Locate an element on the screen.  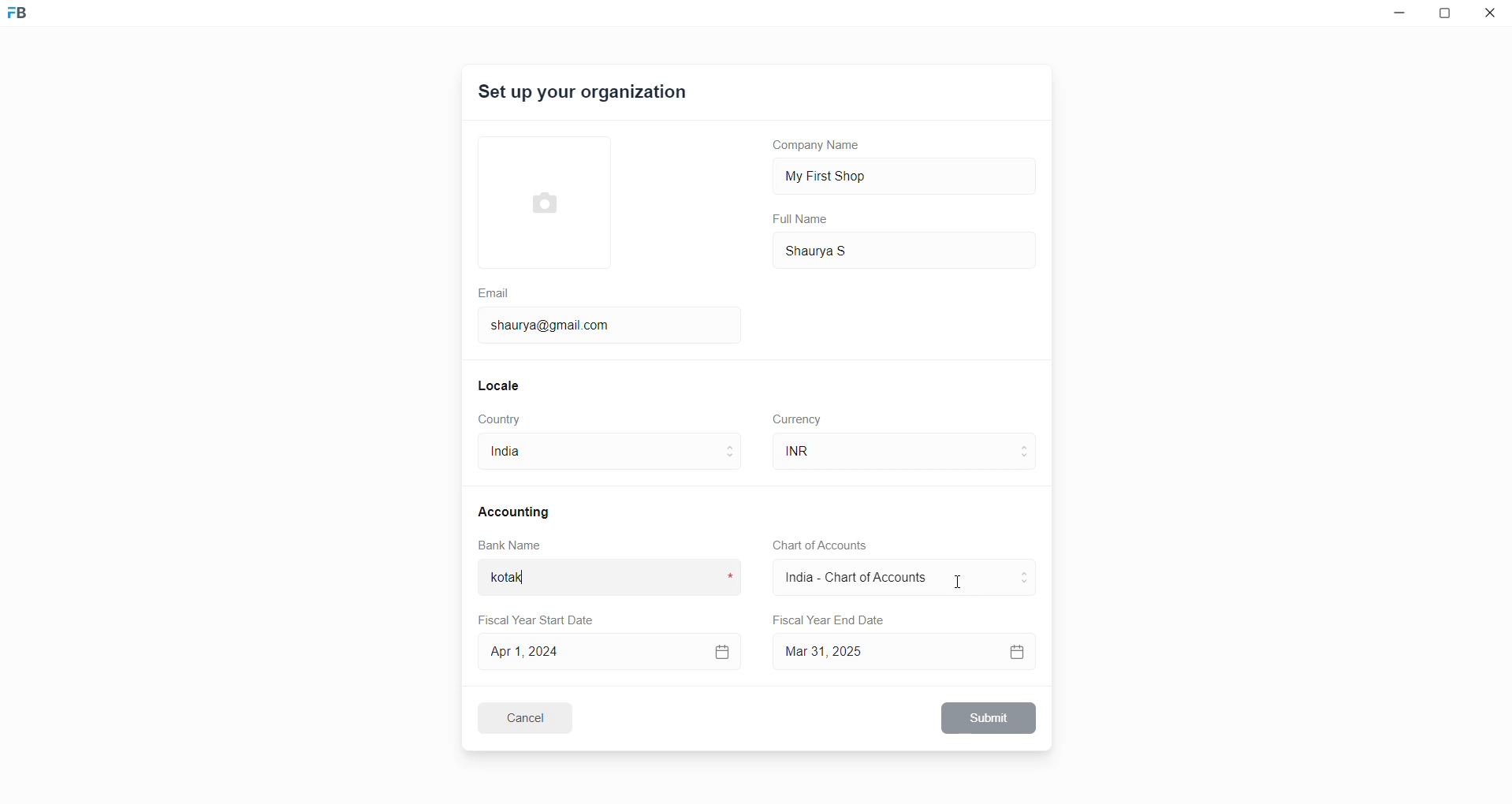
Company Name is located at coordinates (822, 147).